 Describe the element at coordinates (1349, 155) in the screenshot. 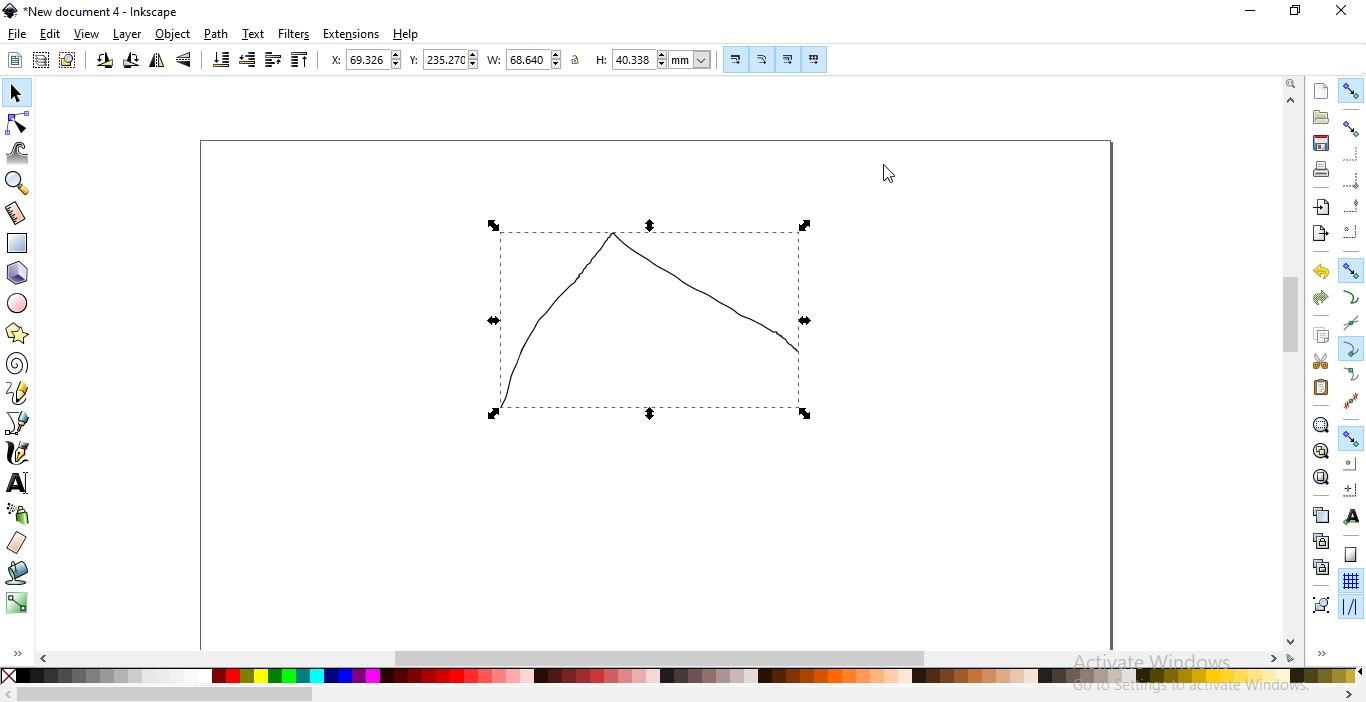

I see `snap to edges of bounding boxes` at that location.